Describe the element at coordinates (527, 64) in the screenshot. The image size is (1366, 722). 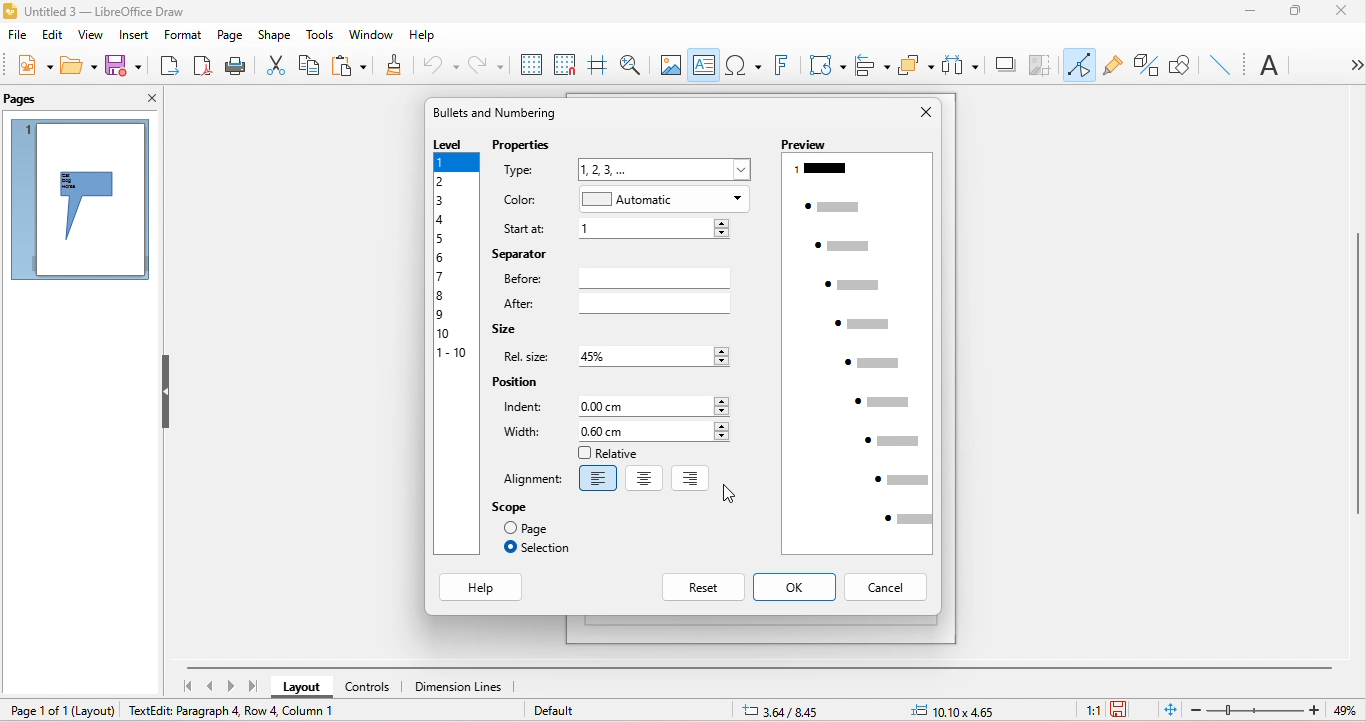
I see `display to grids` at that location.